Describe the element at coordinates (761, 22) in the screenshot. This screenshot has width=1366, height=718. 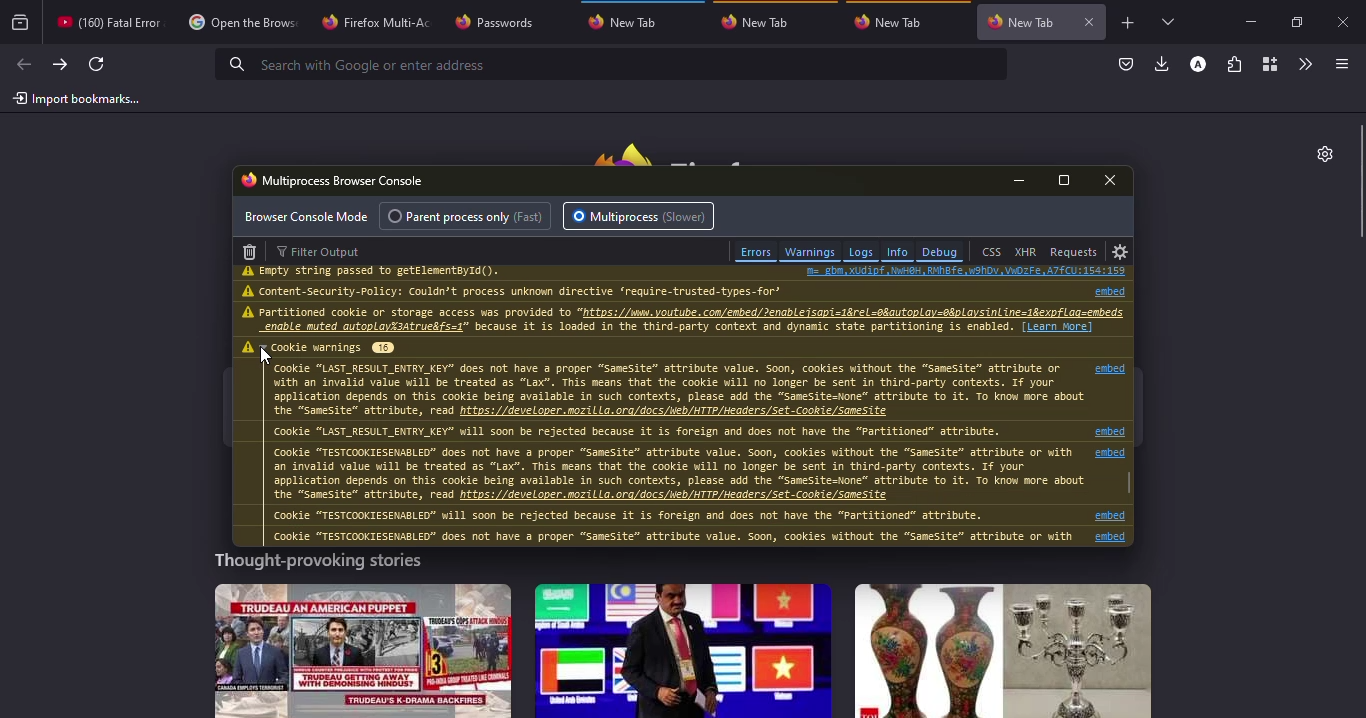
I see `tab` at that location.